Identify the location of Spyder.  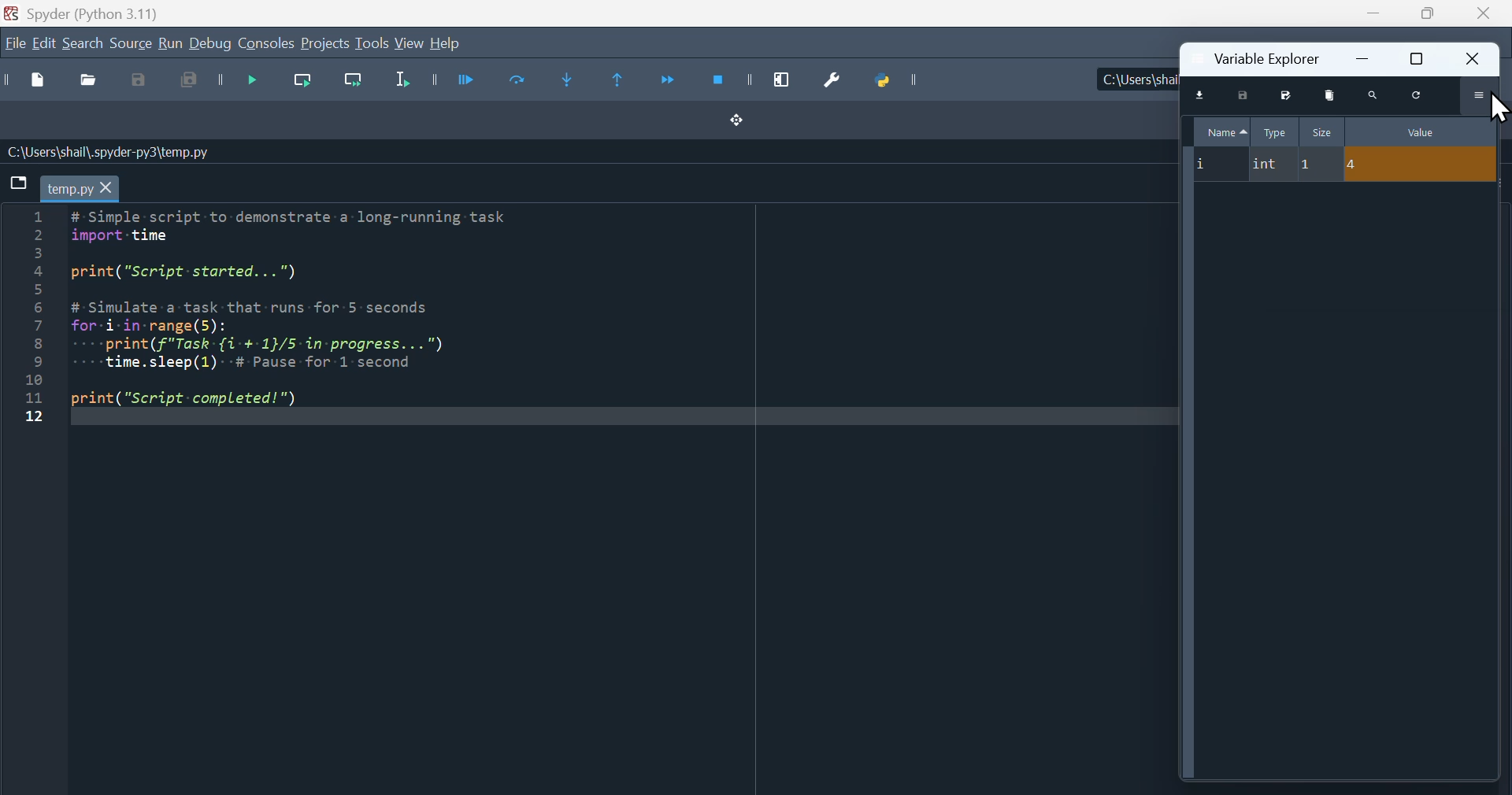
(117, 12).